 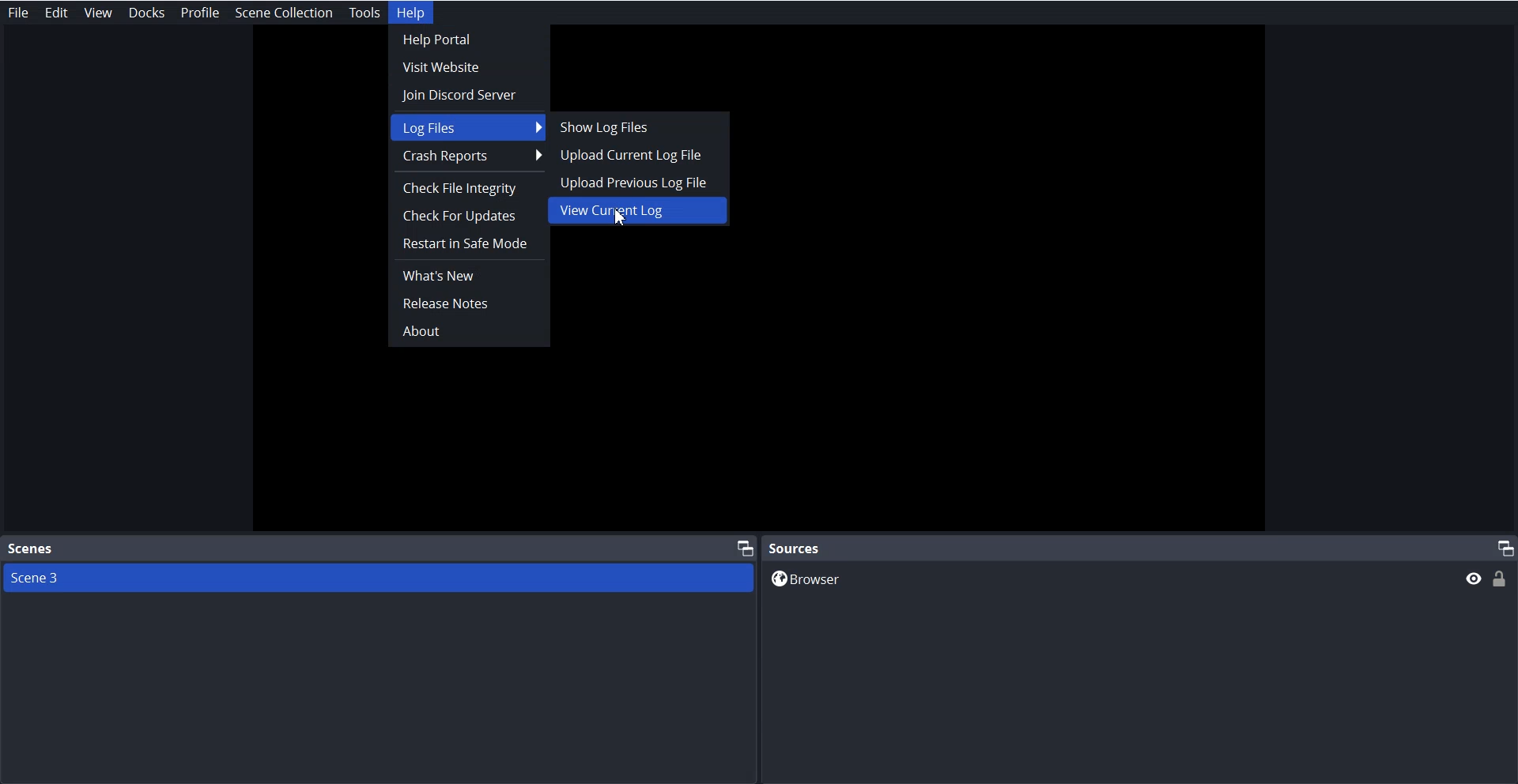 I want to click on Visit Website, so click(x=467, y=66).